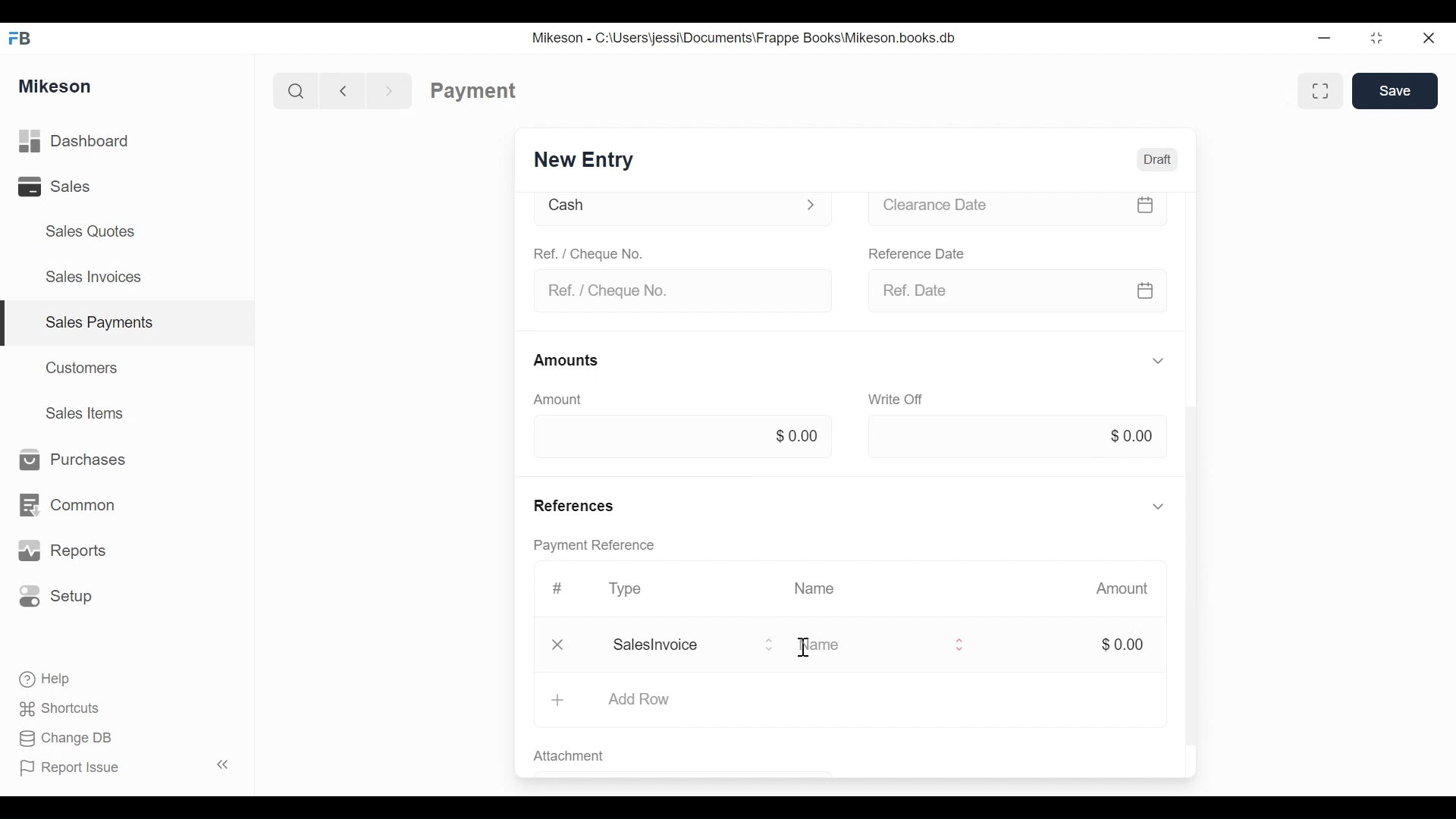 The height and width of the screenshot is (819, 1456). What do you see at coordinates (560, 698) in the screenshot?
I see `Add` at bounding box center [560, 698].